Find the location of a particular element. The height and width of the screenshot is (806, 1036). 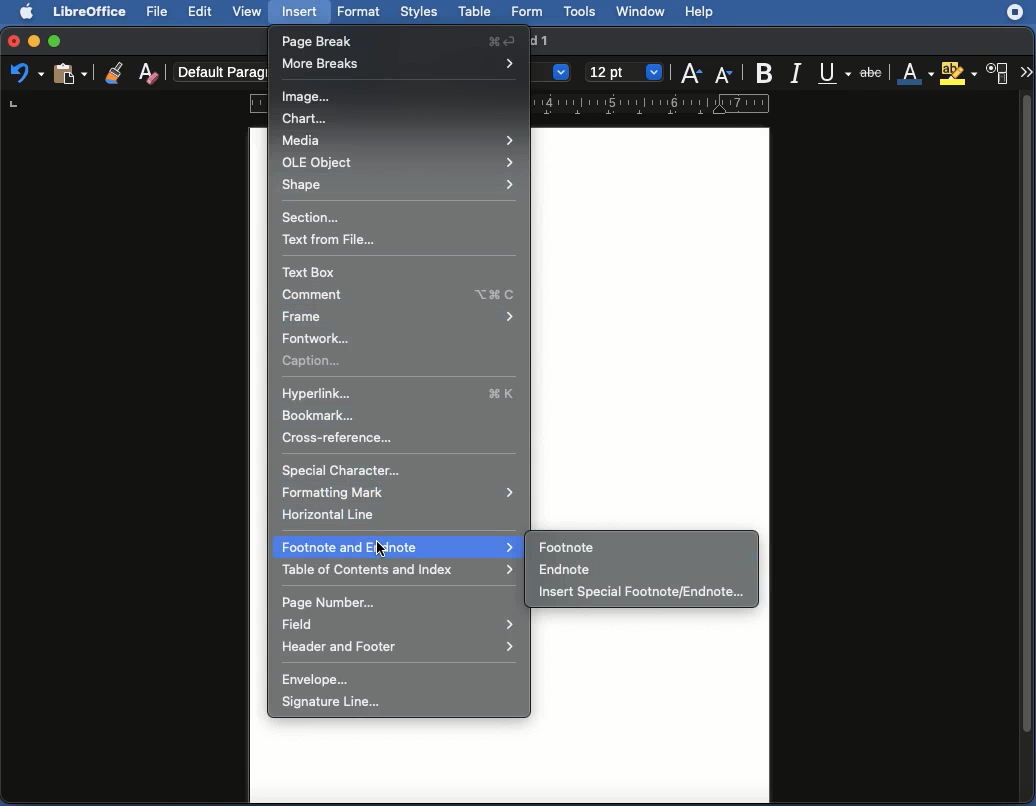

Italics is located at coordinates (800, 72).